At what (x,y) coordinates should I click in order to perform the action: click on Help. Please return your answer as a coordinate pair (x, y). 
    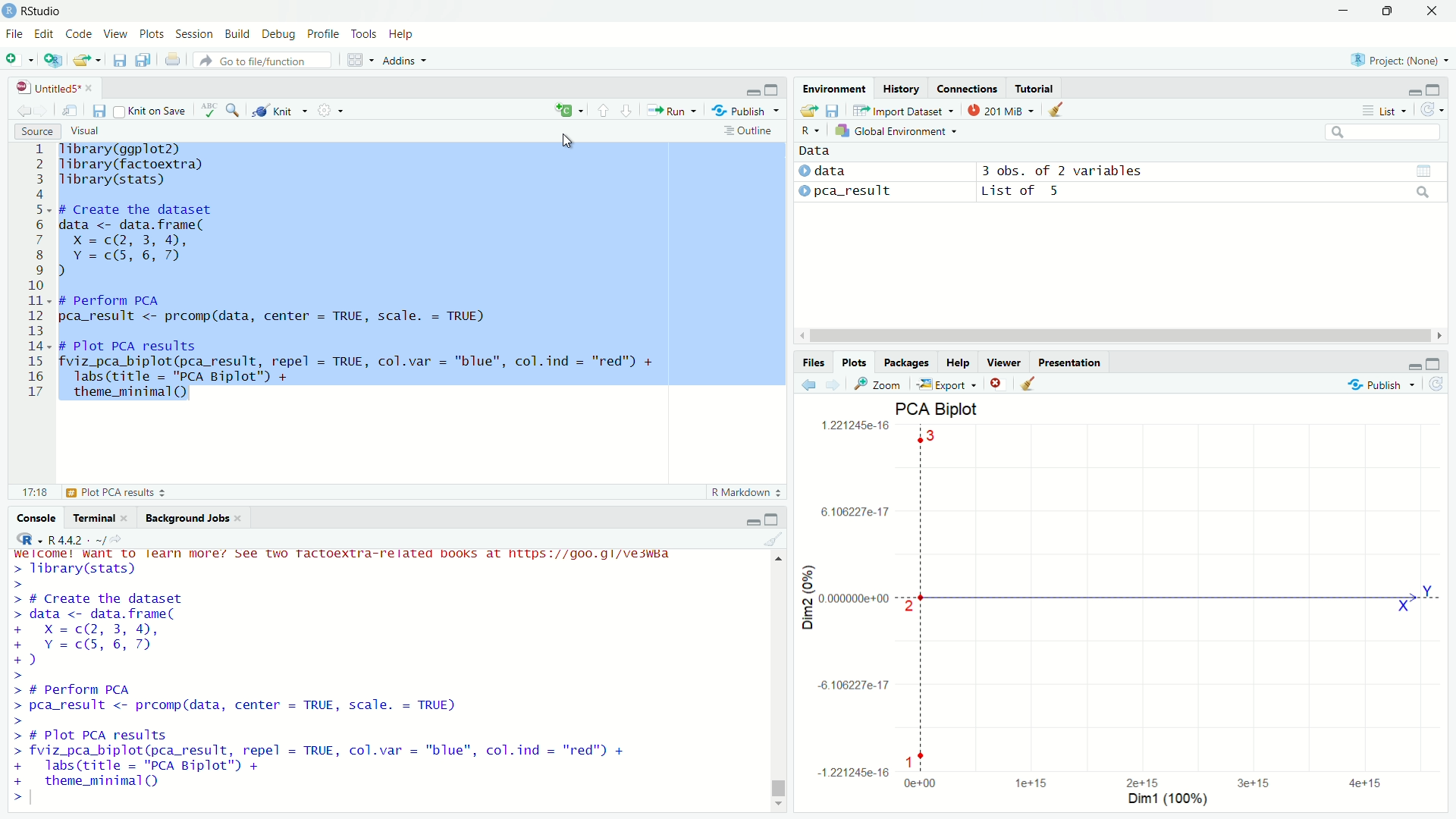
    Looking at the image, I should click on (959, 362).